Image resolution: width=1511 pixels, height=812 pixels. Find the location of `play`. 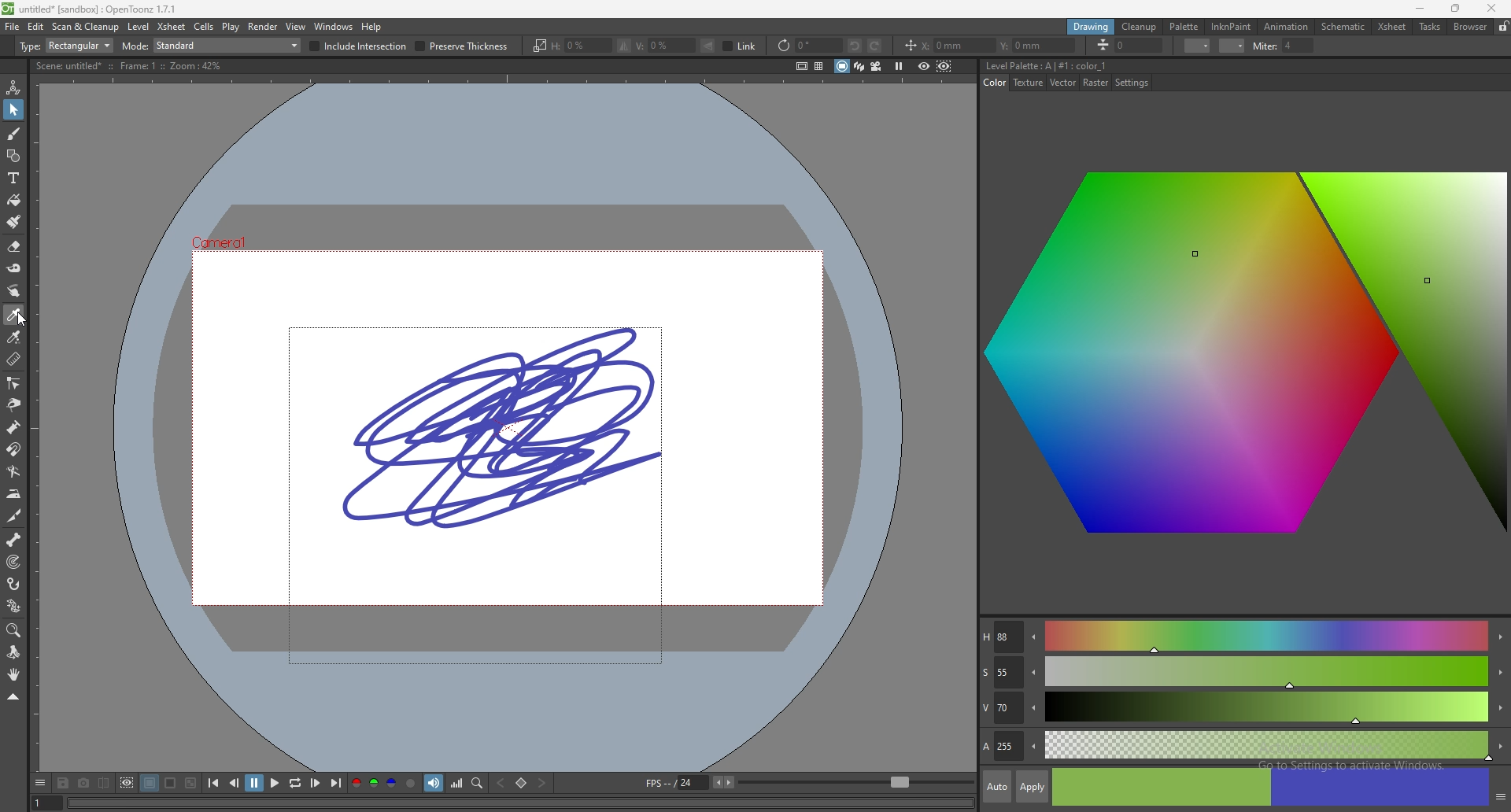

play is located at coordinates (275, 782).